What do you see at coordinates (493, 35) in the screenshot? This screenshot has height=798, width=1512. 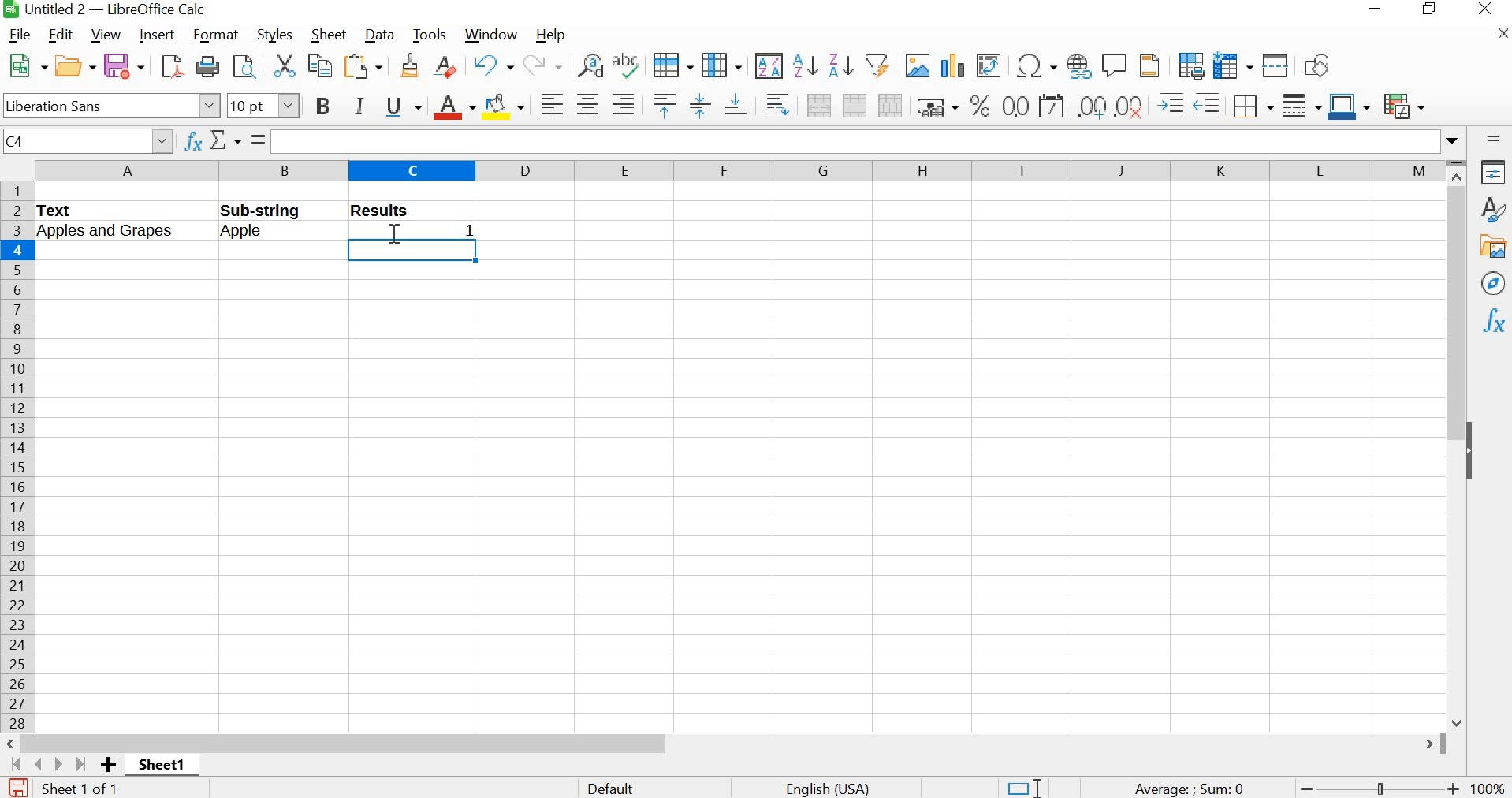 I see `window` at bounding box center [493, 35].